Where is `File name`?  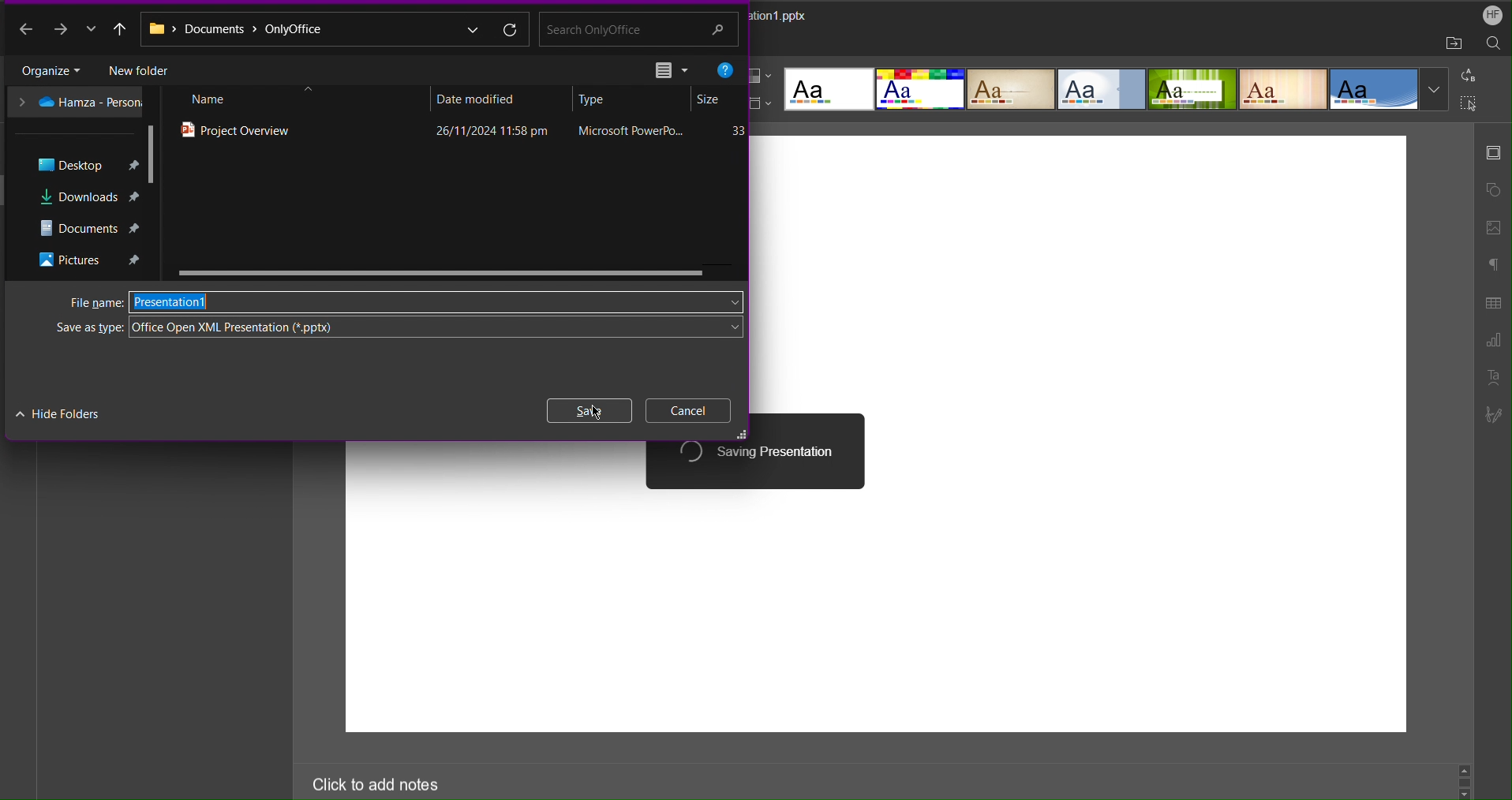 File name is located at coordinates (399, 301).